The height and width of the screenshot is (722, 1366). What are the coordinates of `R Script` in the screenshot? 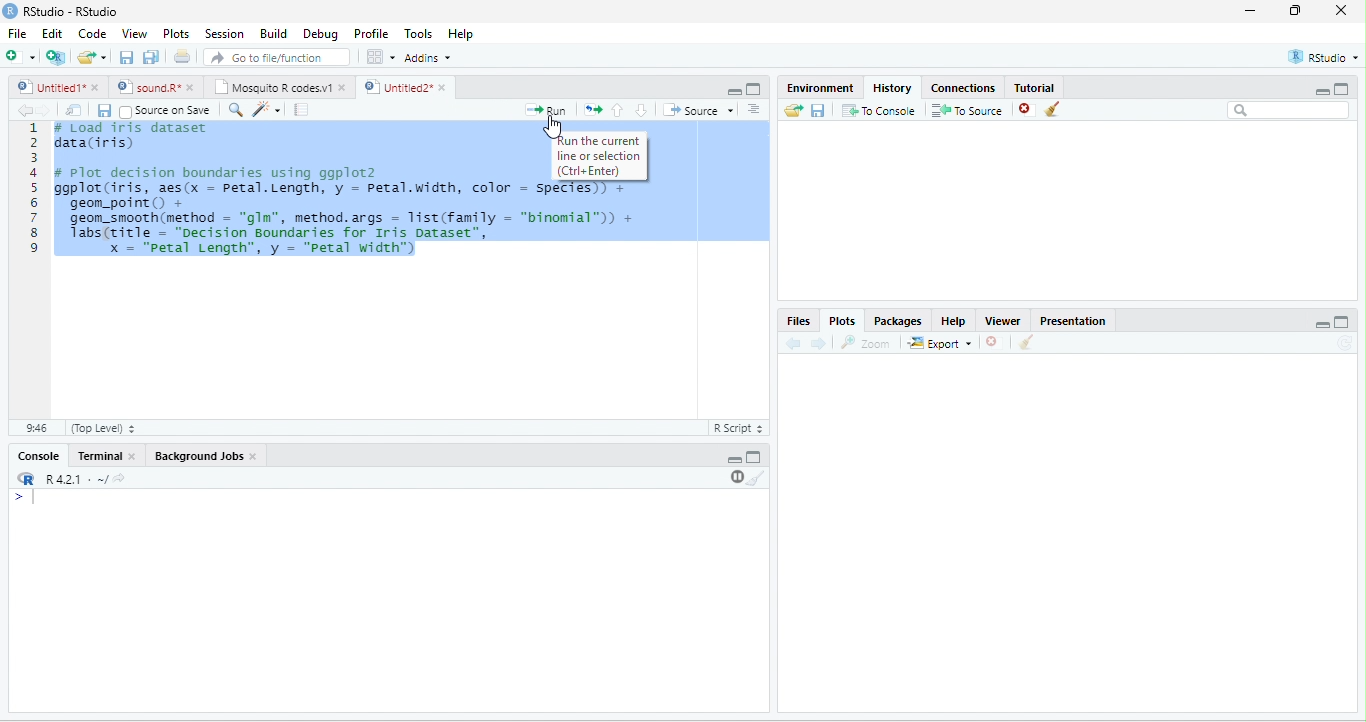 It's located at (737, 428).